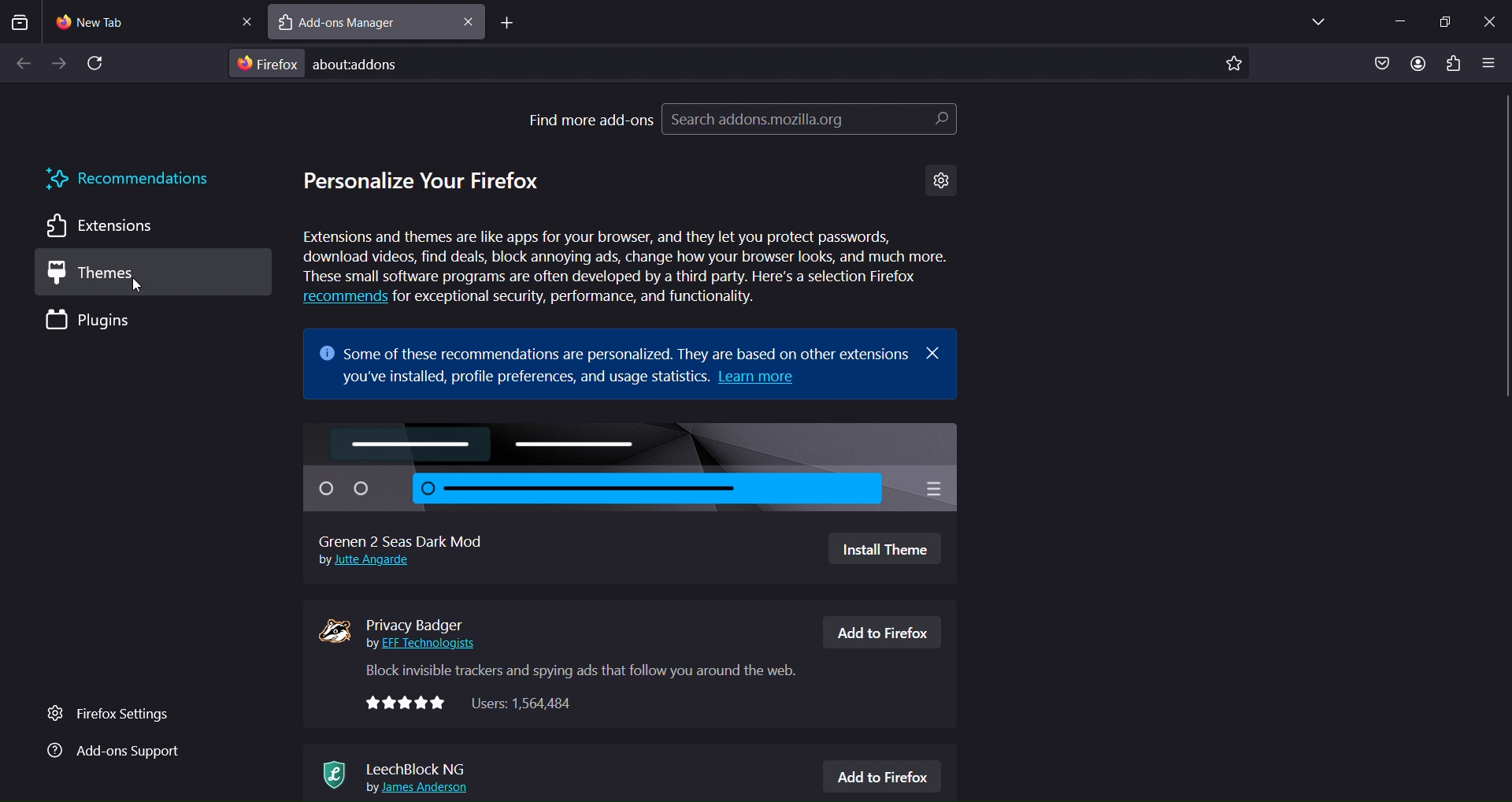  Describe the element at coordinates (940, 180) in the screenshot. I see `settings` at that location.